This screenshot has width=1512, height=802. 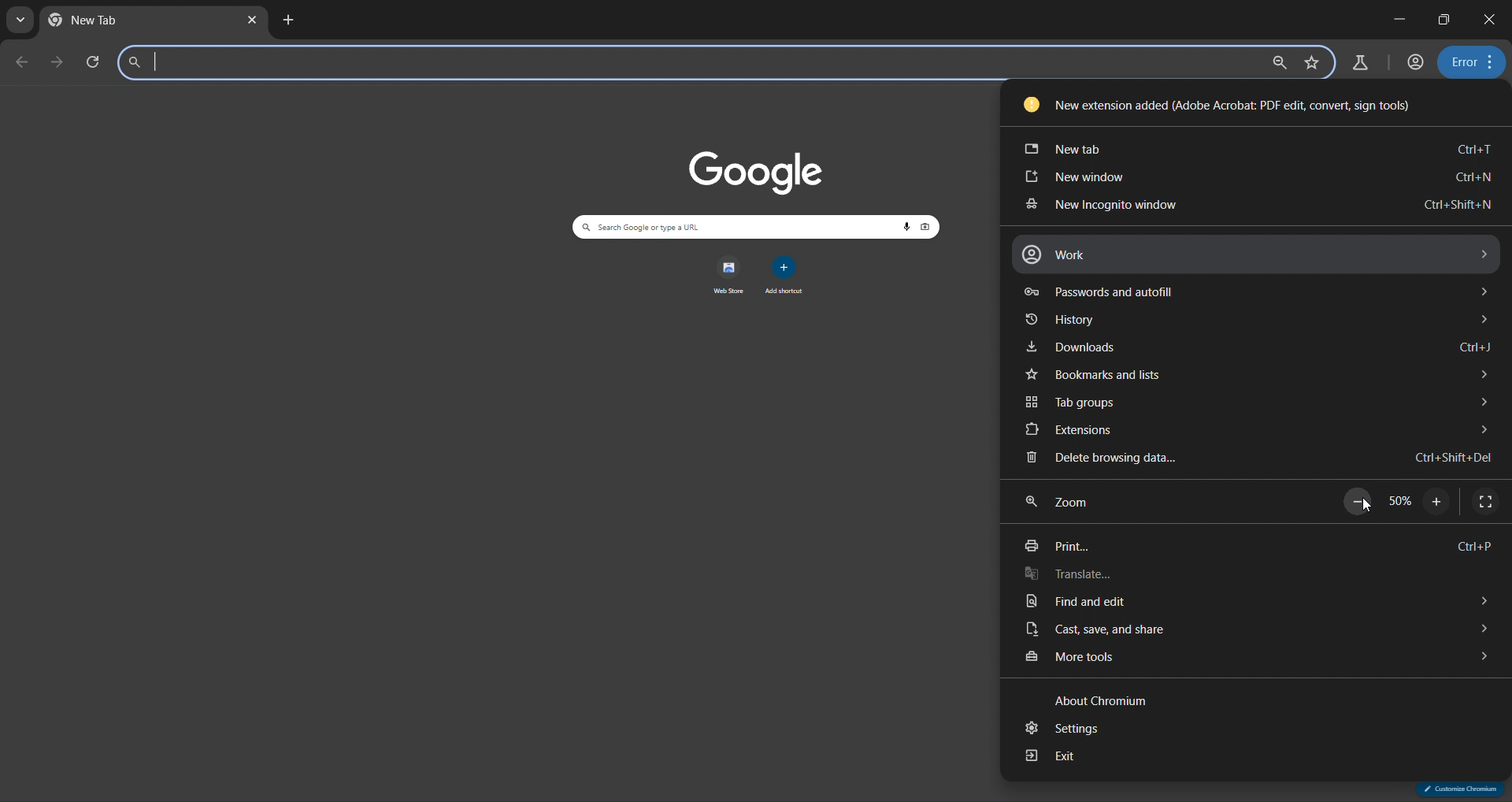 What do you see at coordinates (1261, 320) in the screenshot?
I see `history` at bounding box center [1261, 320].